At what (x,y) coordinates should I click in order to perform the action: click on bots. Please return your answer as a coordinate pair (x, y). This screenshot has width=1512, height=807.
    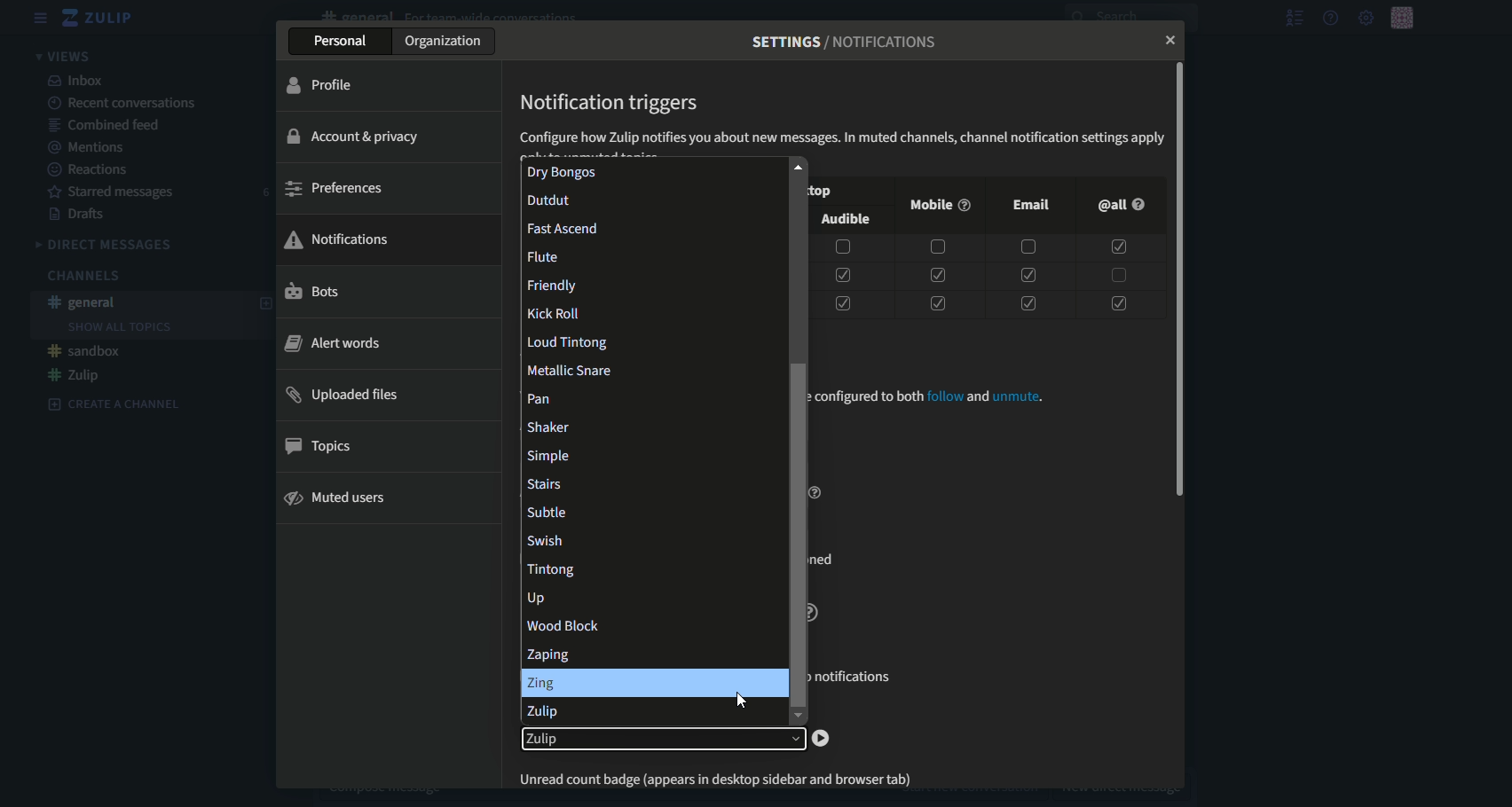
    Looking at the image, I should click on (313, 293).